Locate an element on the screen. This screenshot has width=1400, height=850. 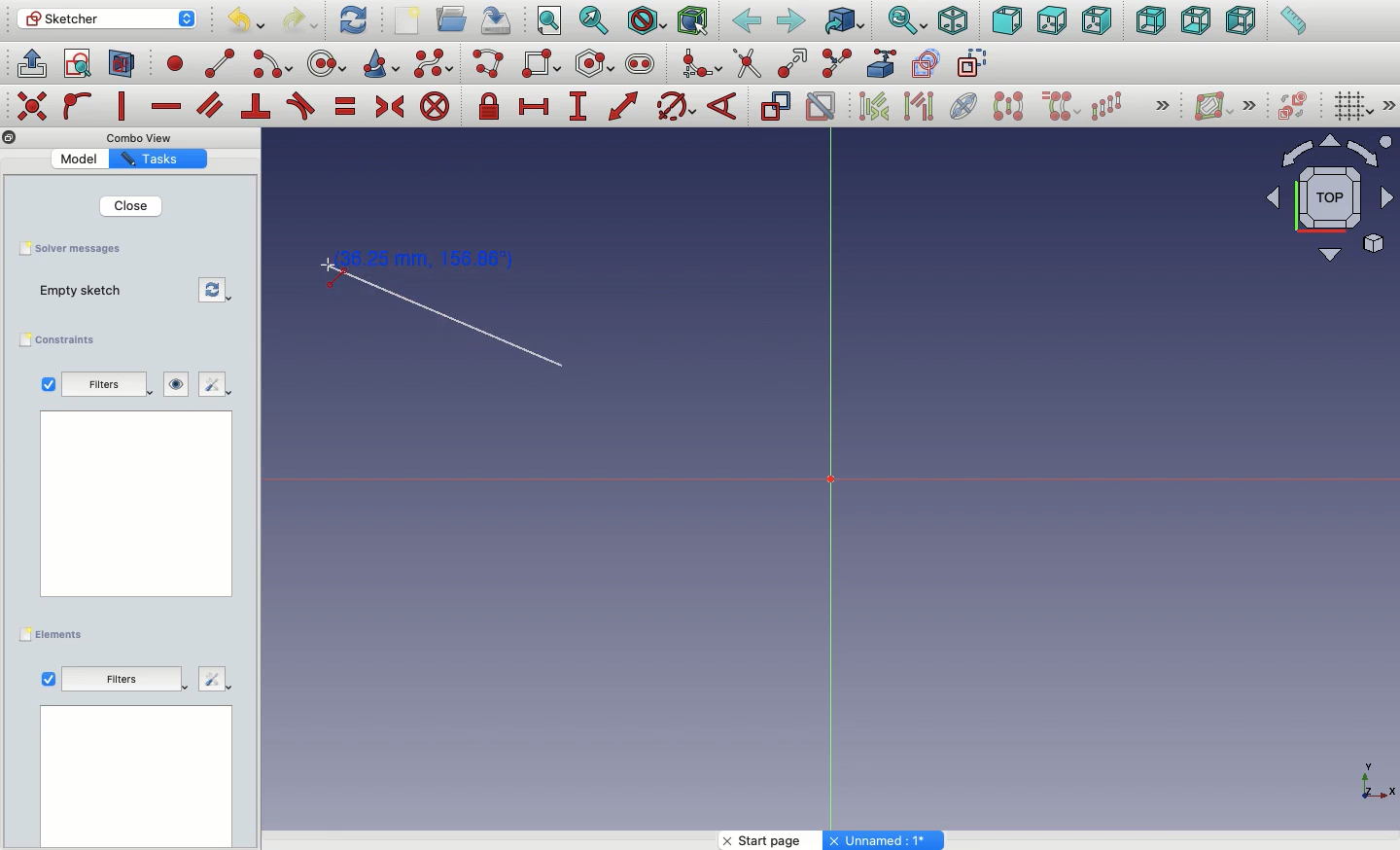
Click is located at coordinates (412, 261).